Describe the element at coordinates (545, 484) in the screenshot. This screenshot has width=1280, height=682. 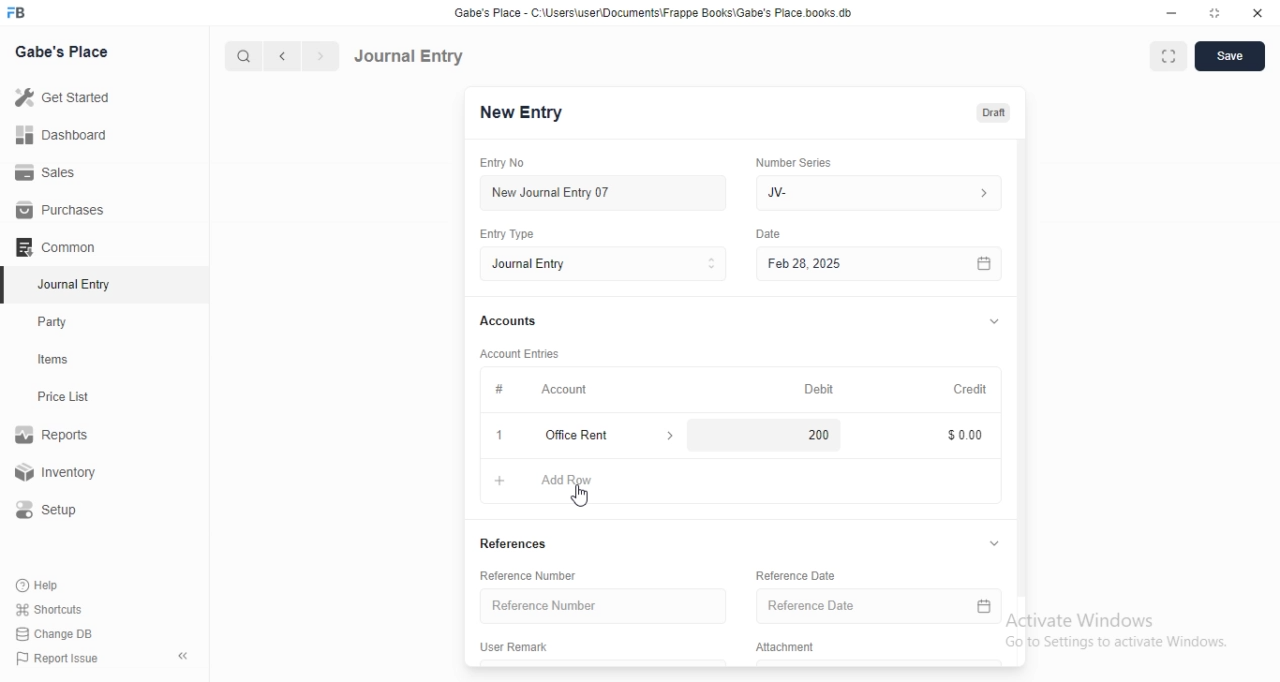
I see `+ AddRow` at that location.